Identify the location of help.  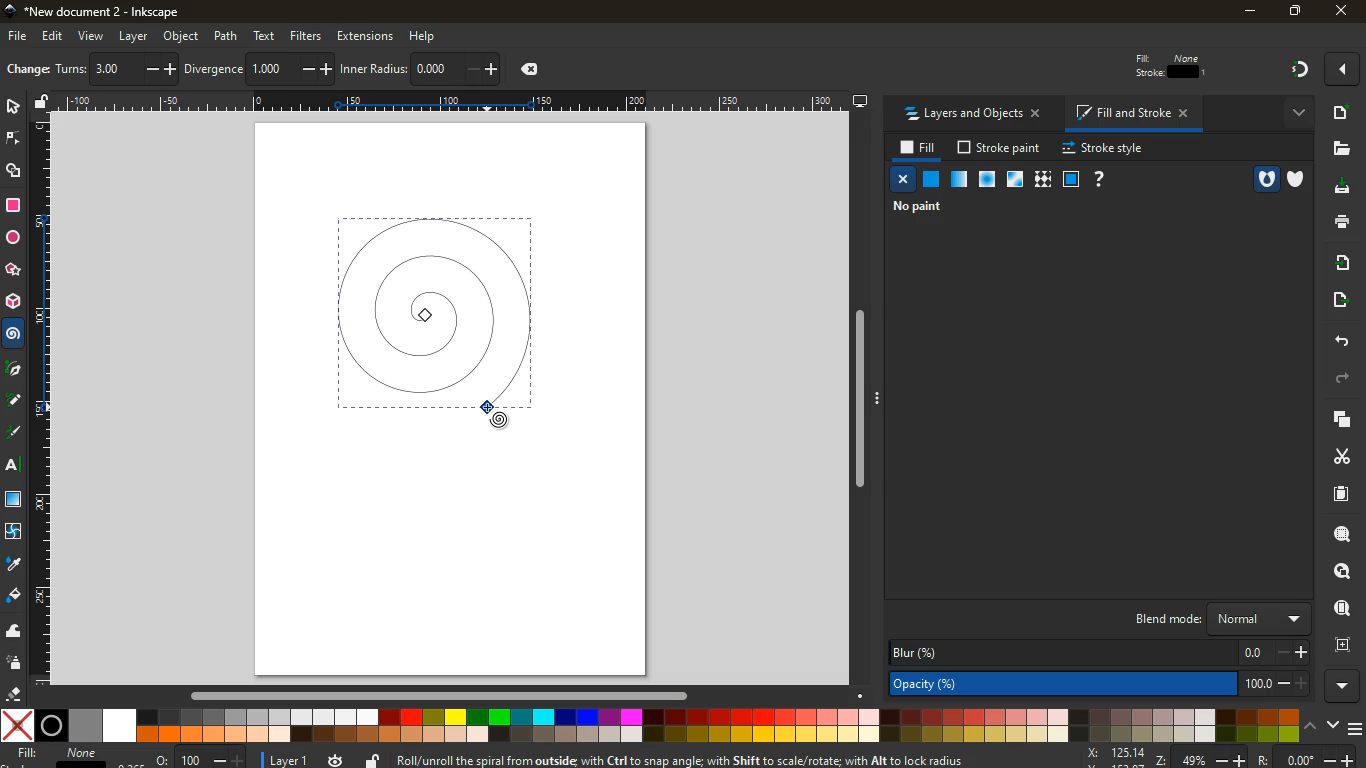
(1101, 180).